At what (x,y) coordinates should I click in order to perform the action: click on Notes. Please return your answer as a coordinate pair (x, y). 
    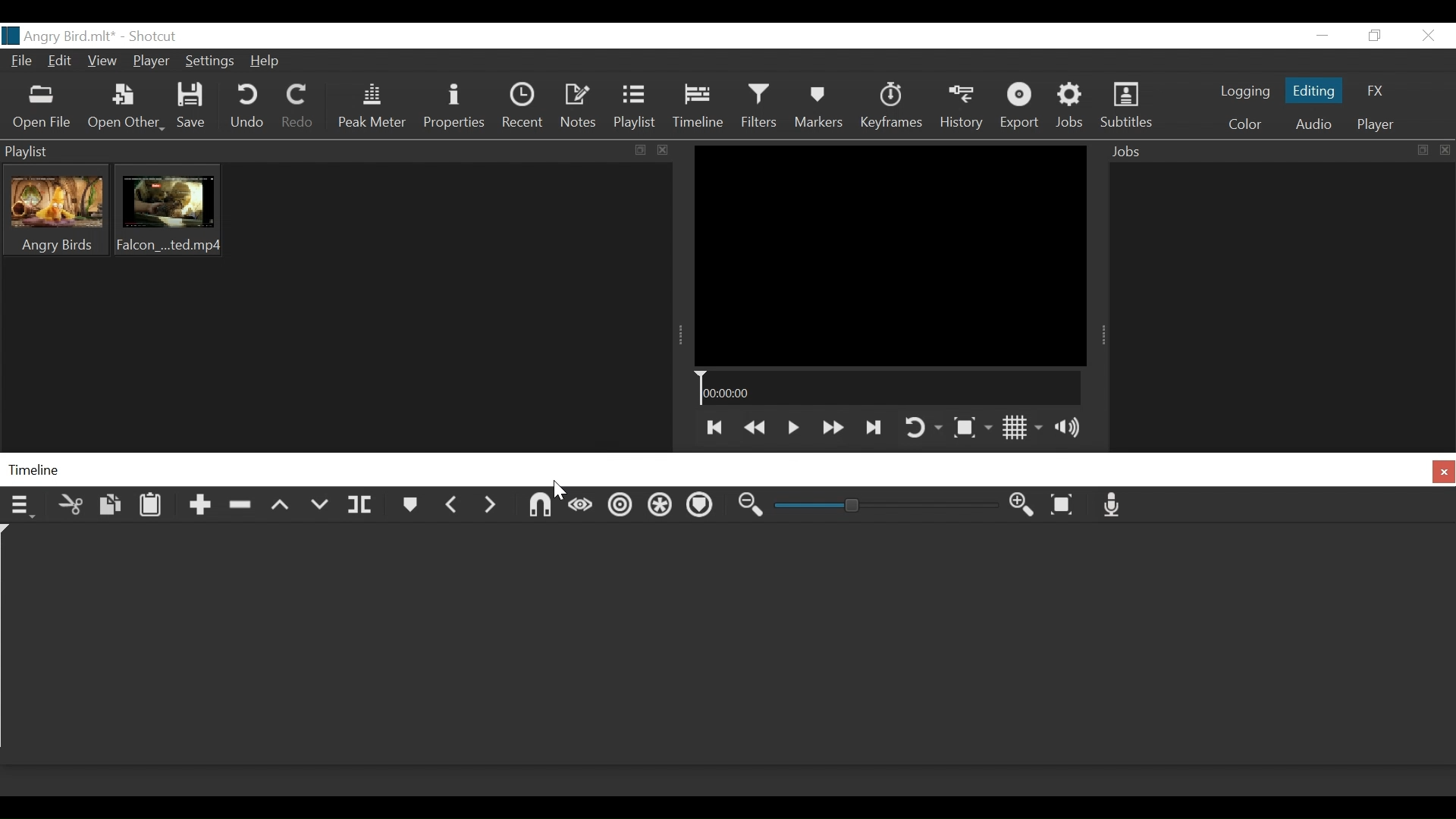
    Looking at the image, I should click on (577, 108).